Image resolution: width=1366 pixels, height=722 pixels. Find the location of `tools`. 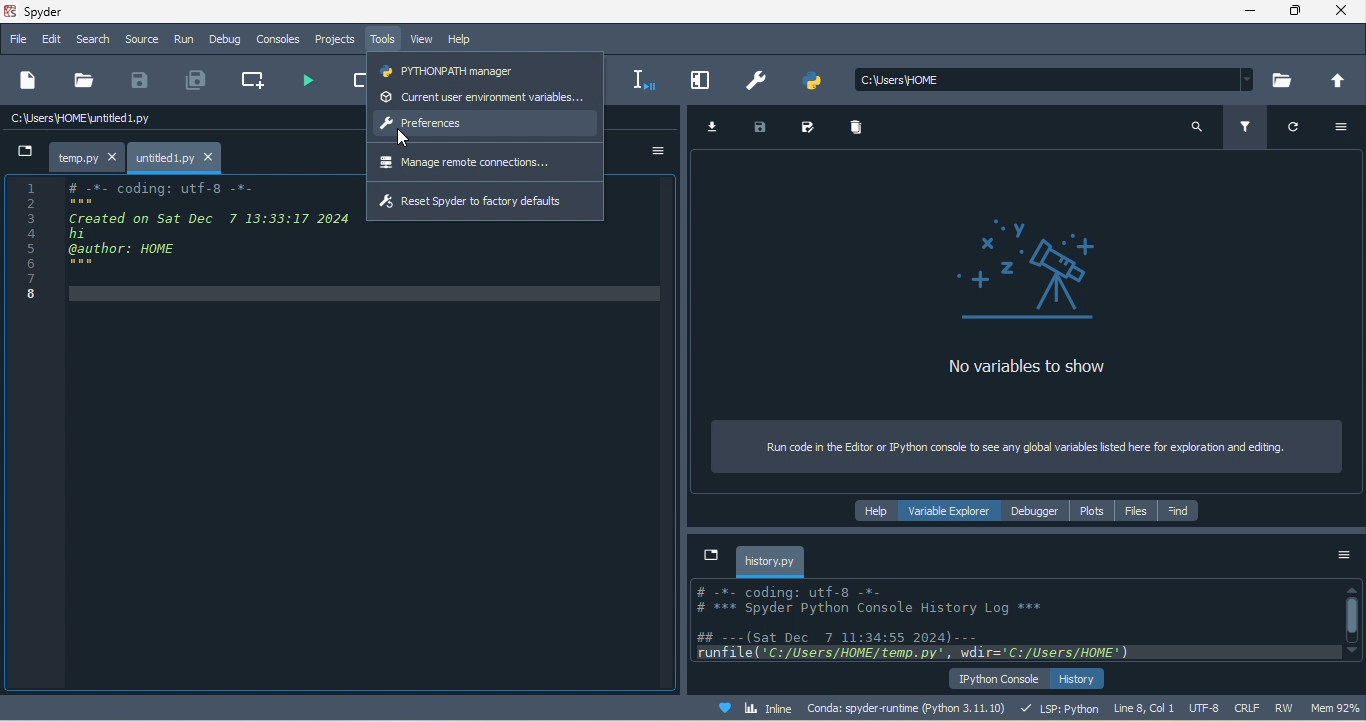

tools is located at coordinates (385, 37).